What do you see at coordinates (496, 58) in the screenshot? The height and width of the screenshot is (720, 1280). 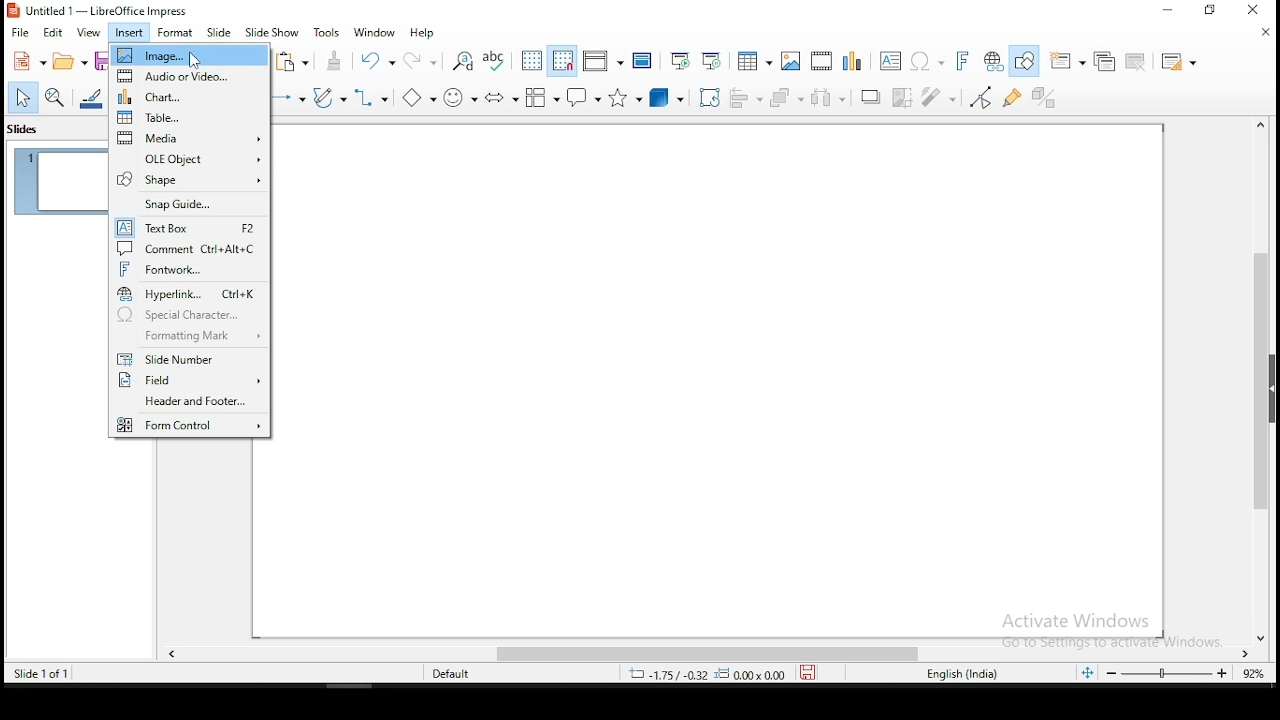 I see `spell check` at bounding box center [496, 58].